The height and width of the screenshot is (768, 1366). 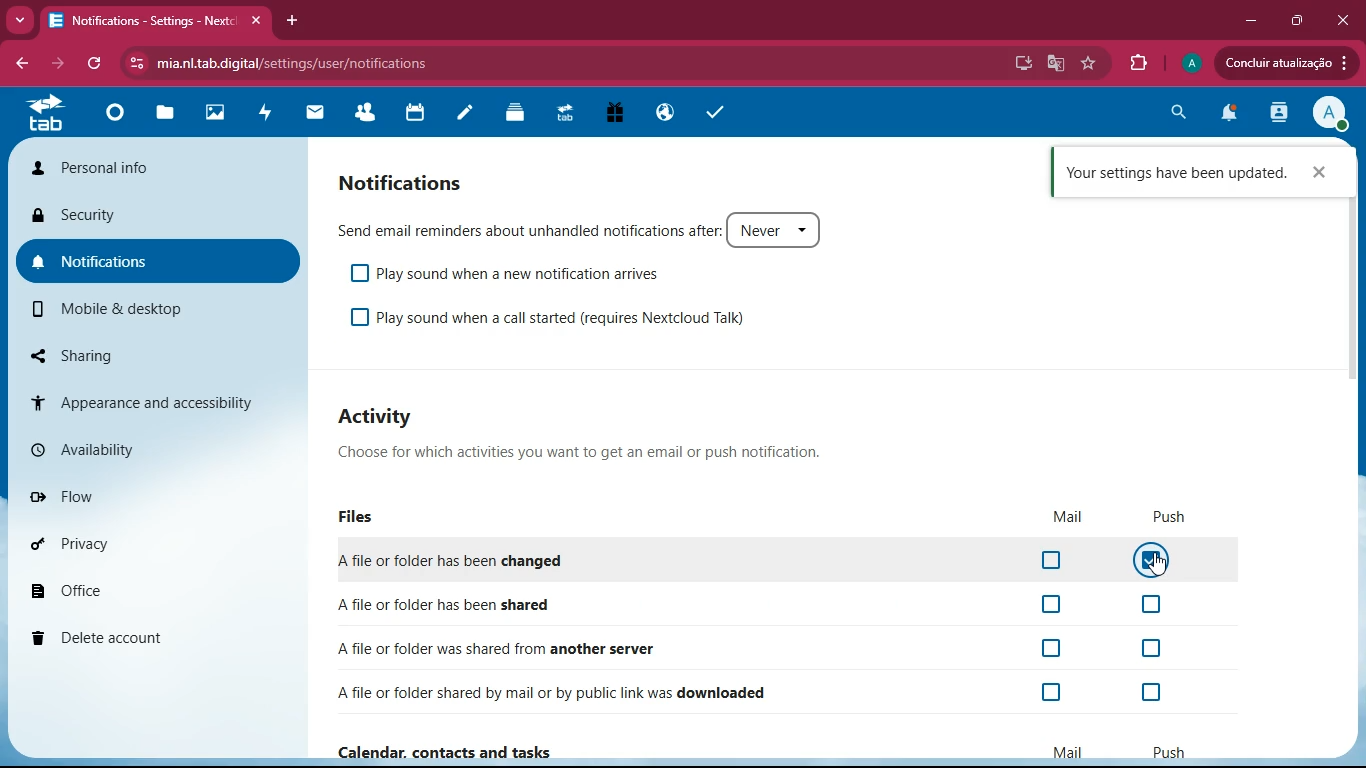 I want to click on update, so click(x=1287, y=64).